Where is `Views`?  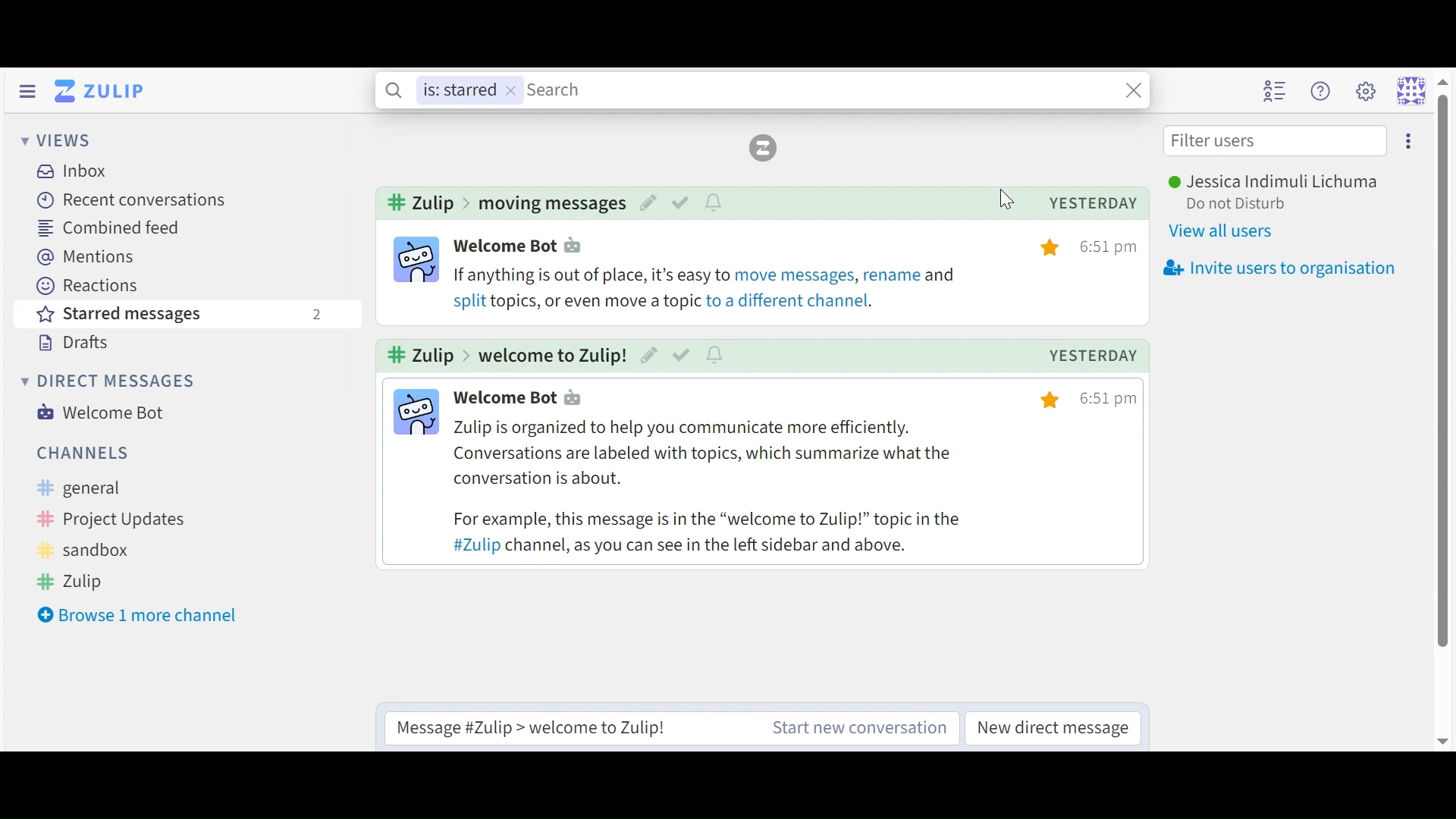
Views is located at coordinates (57, 141).